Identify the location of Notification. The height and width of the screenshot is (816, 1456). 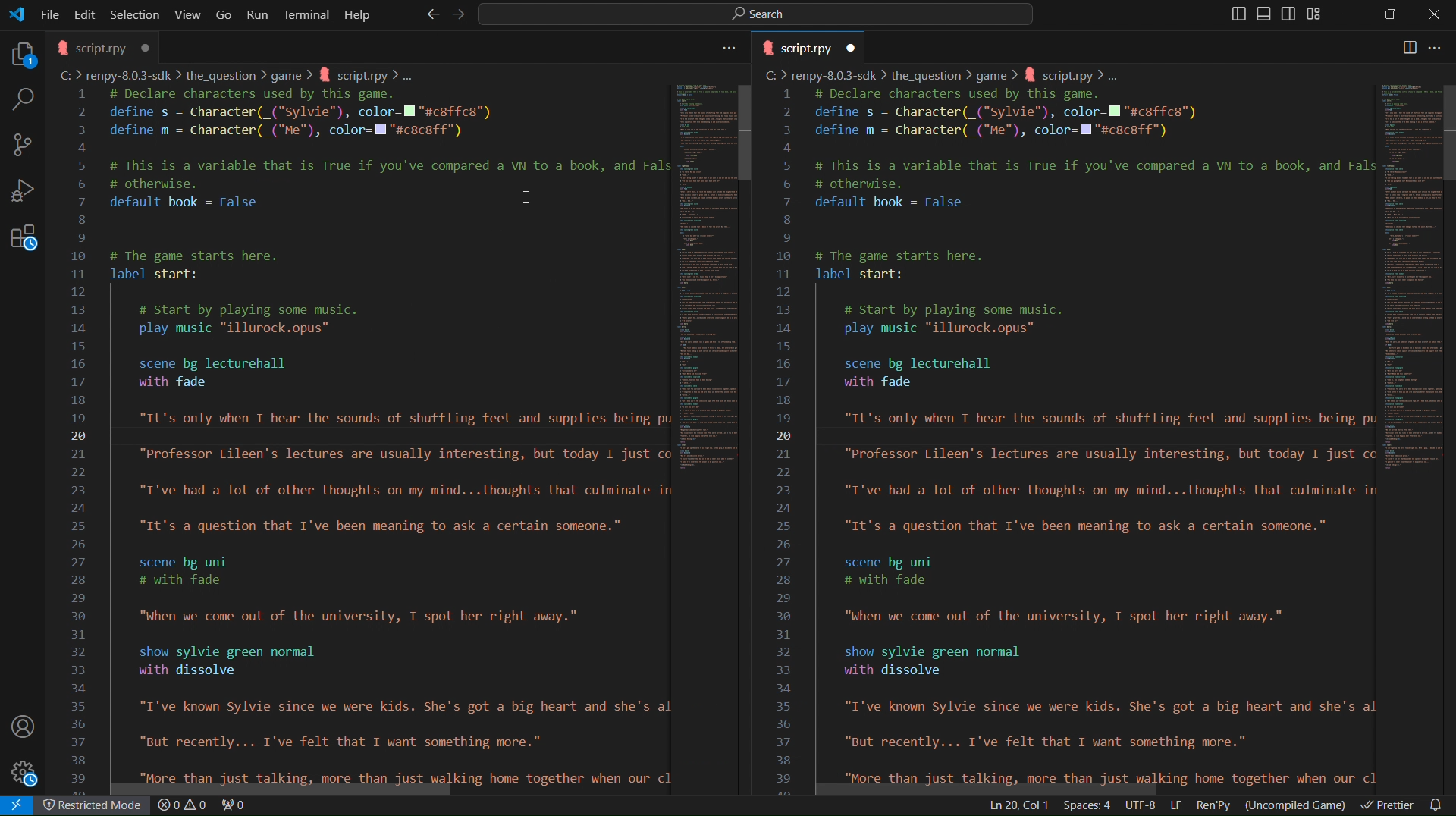
(1439, 804).